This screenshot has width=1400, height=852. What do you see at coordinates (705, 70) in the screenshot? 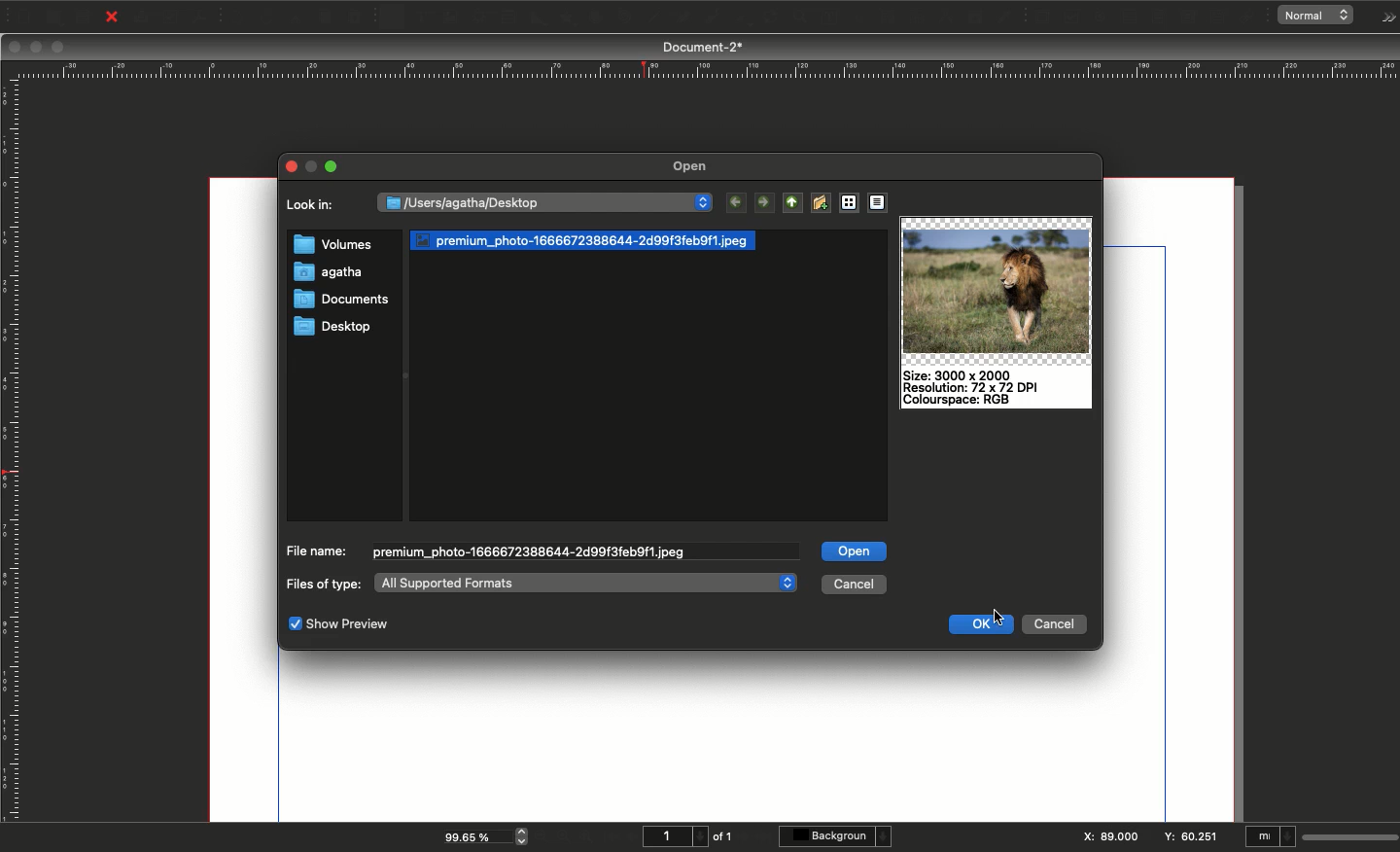
I see `Ruler` at bounding box center [705, 70].